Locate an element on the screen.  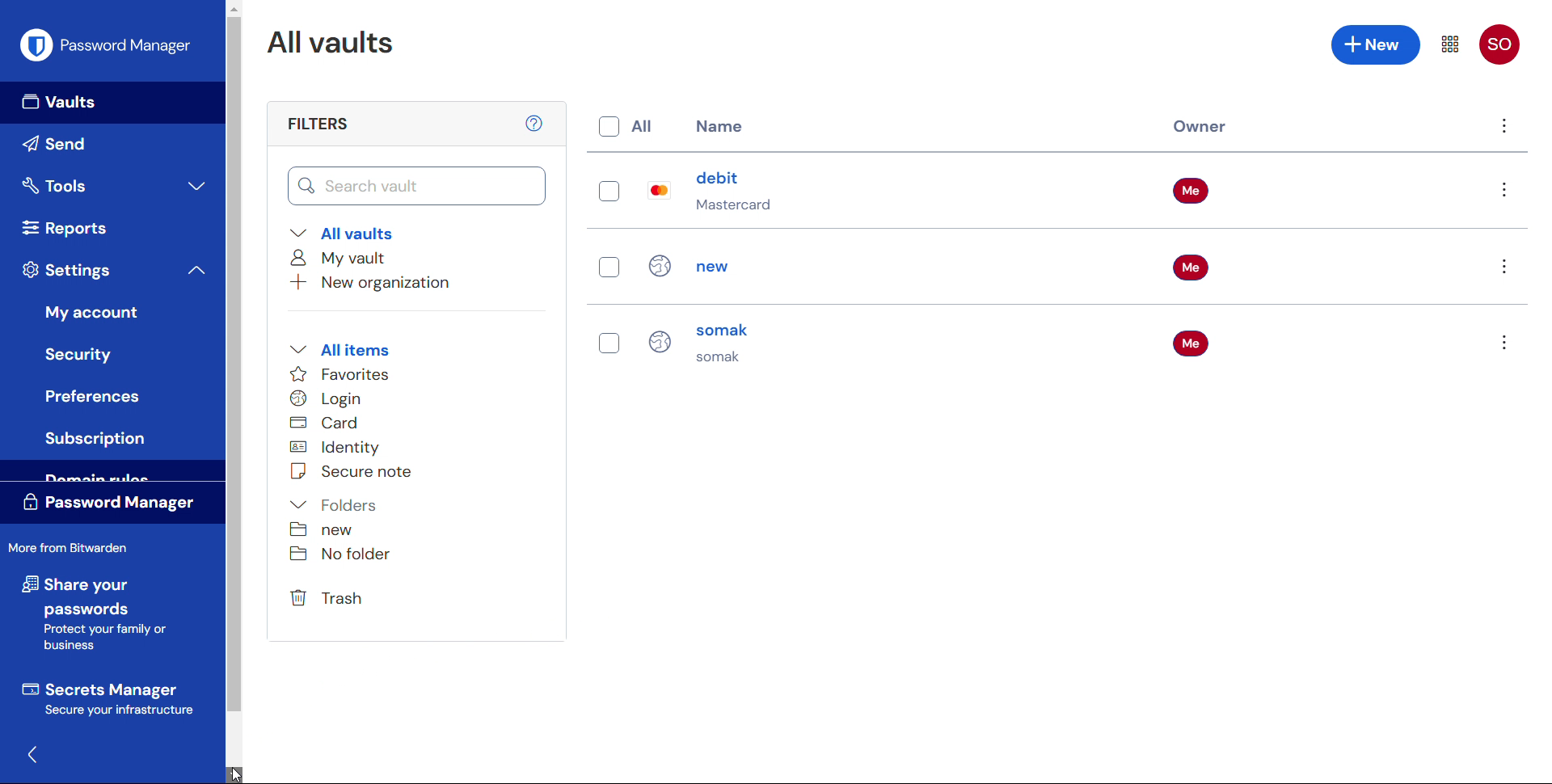
All items  is located at coordinates (339, 349).